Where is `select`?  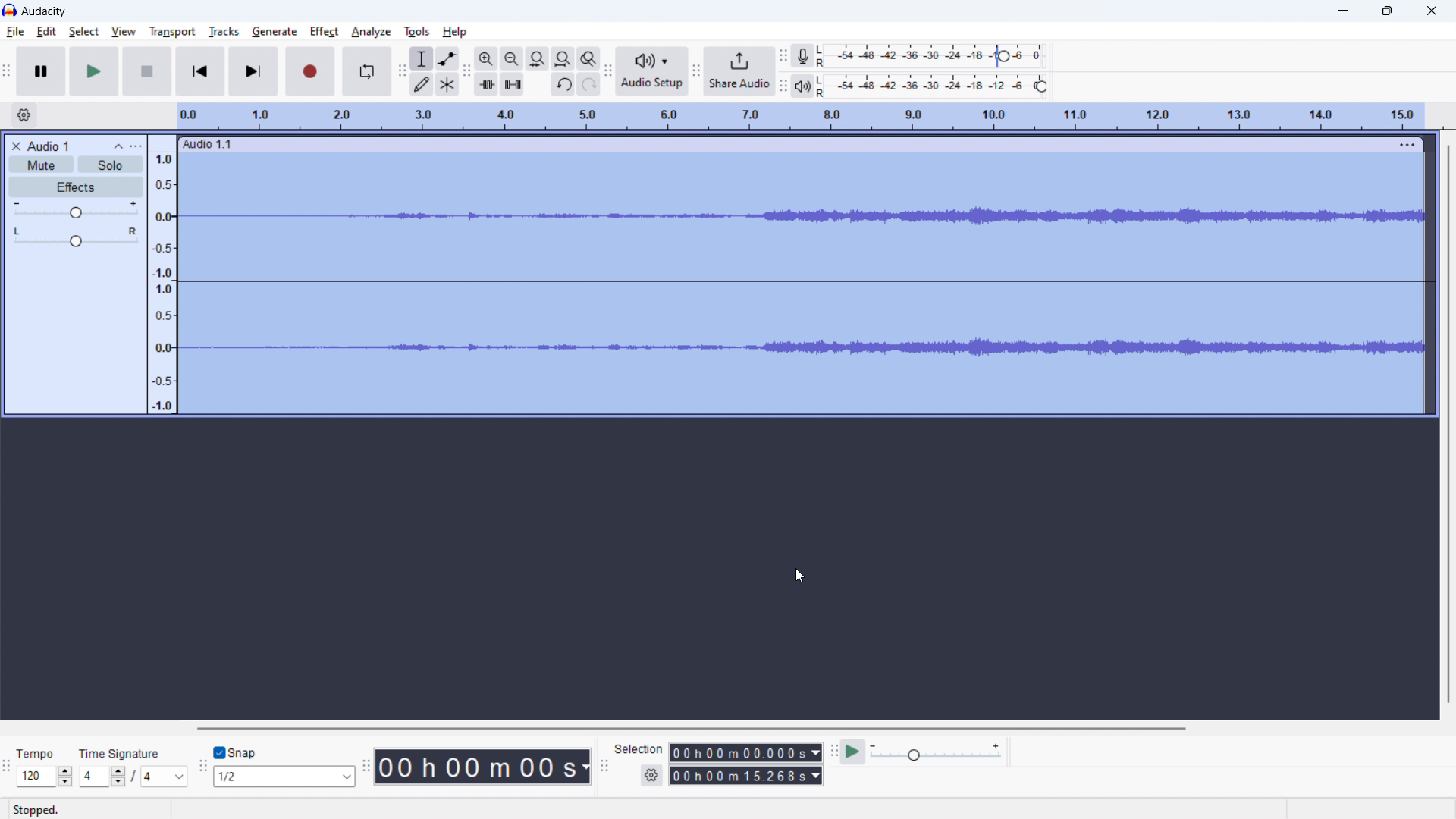 select is located at coordinates (84, 32).